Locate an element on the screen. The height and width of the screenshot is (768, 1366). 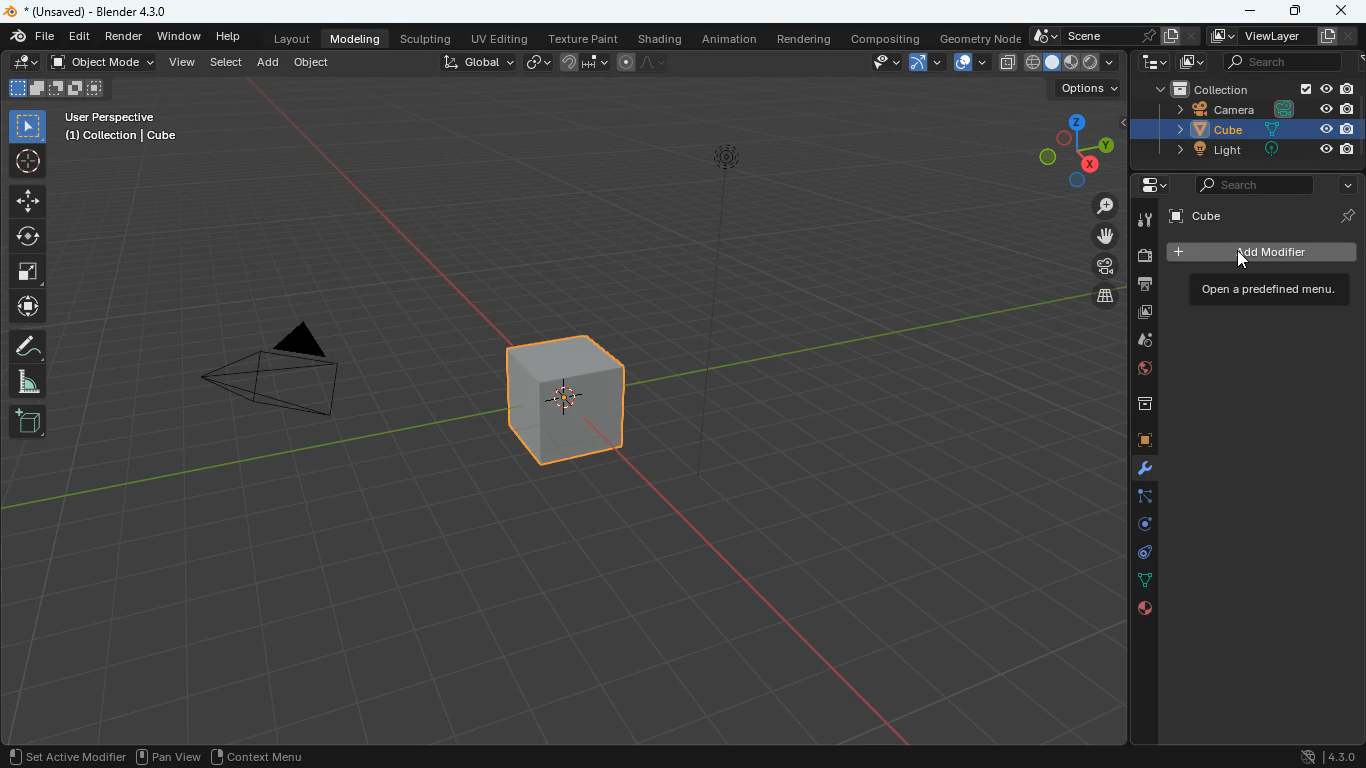
shape is located at coordinates (56, 88).